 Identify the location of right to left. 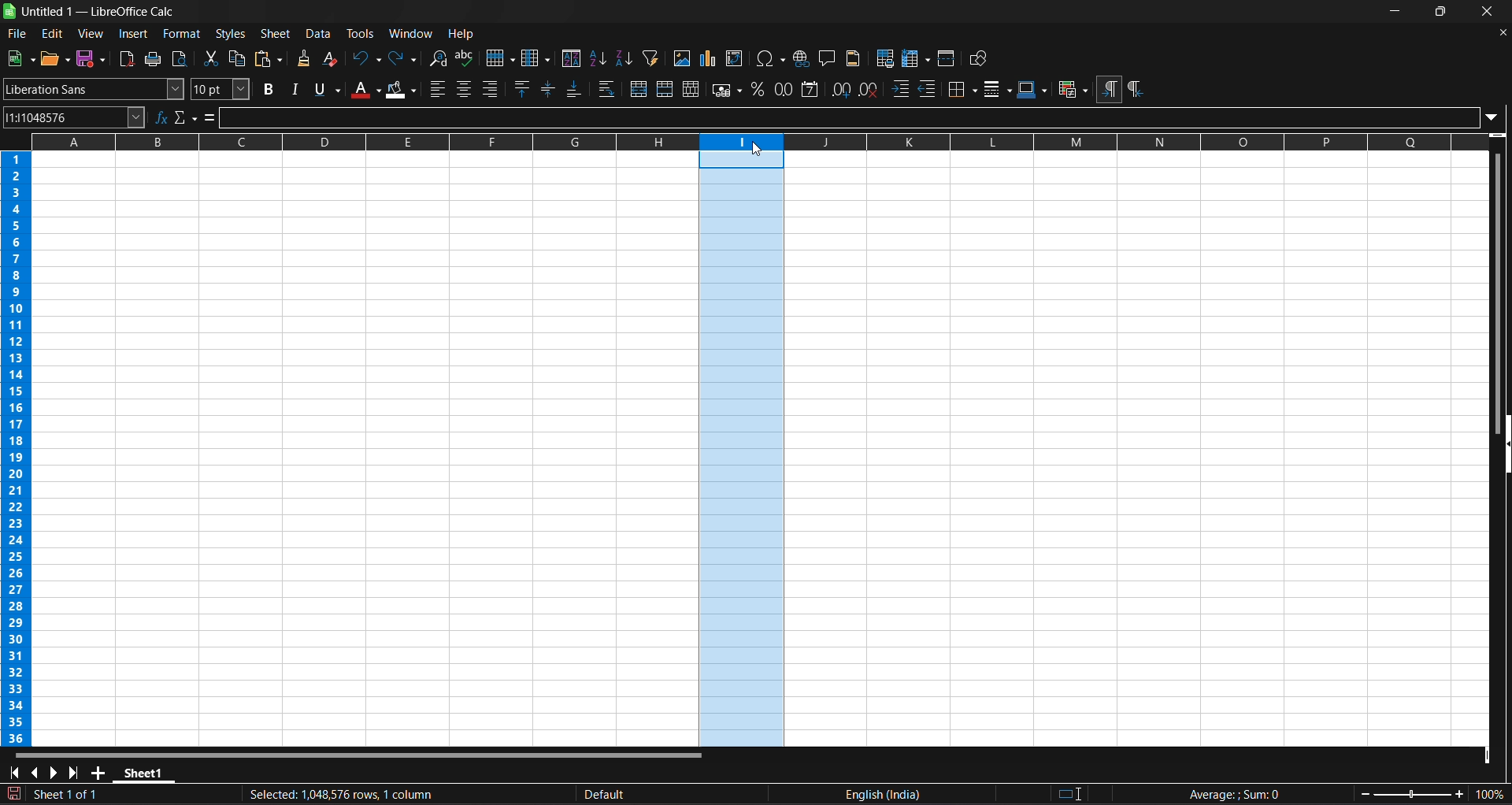
(1136, 90).